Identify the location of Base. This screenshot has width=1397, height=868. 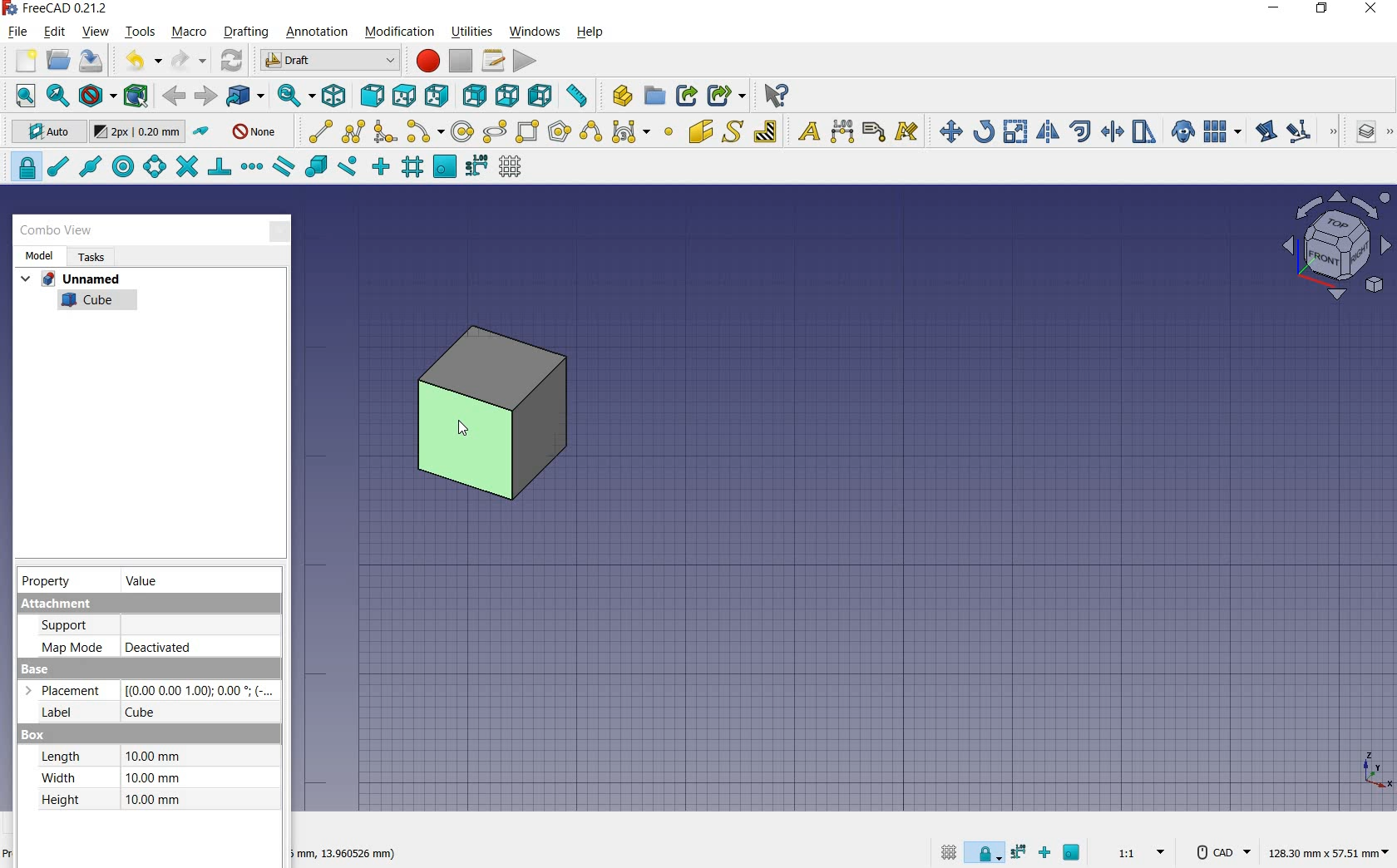
(37, 669).